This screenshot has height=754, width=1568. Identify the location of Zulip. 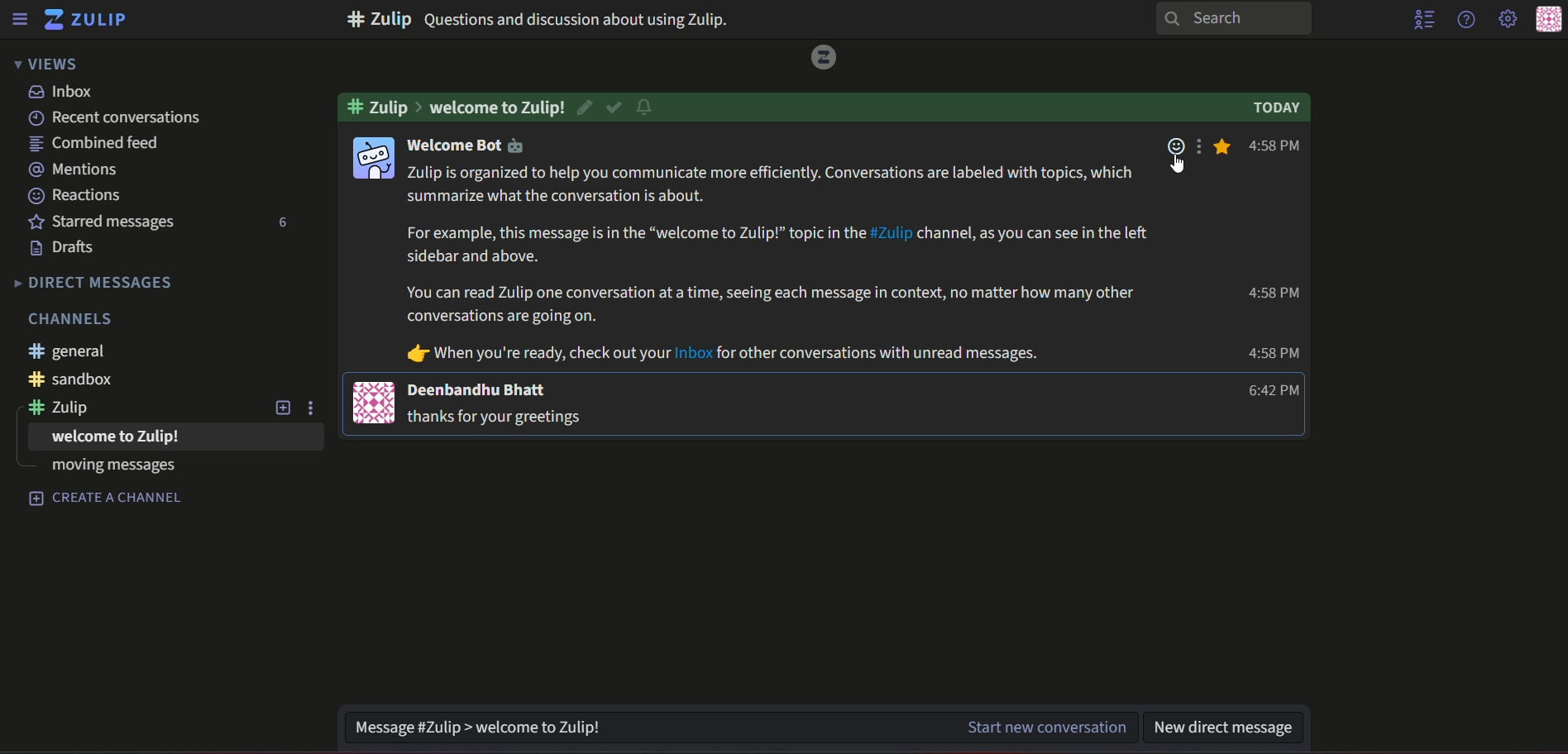
(92, 19).